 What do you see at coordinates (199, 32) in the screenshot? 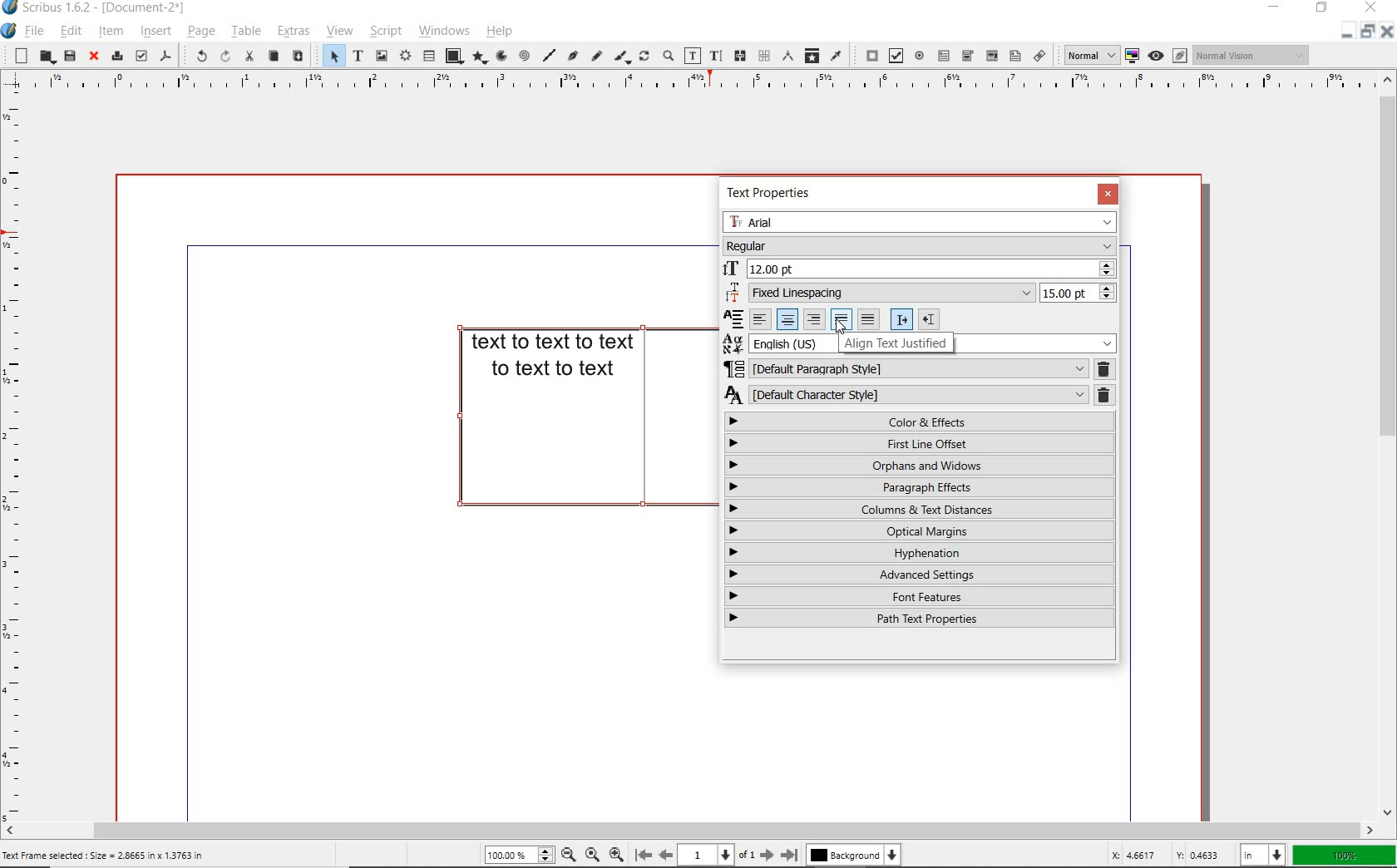
I see `page` at bounding box center [199, 32].